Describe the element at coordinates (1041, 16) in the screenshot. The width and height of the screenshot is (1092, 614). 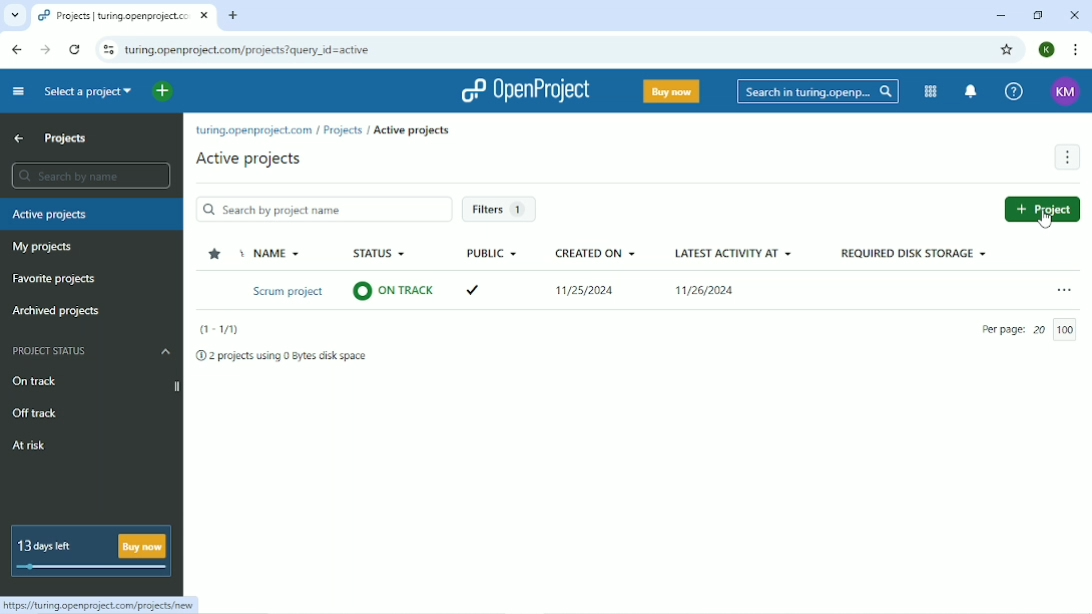
I see `Restore down` at that location.